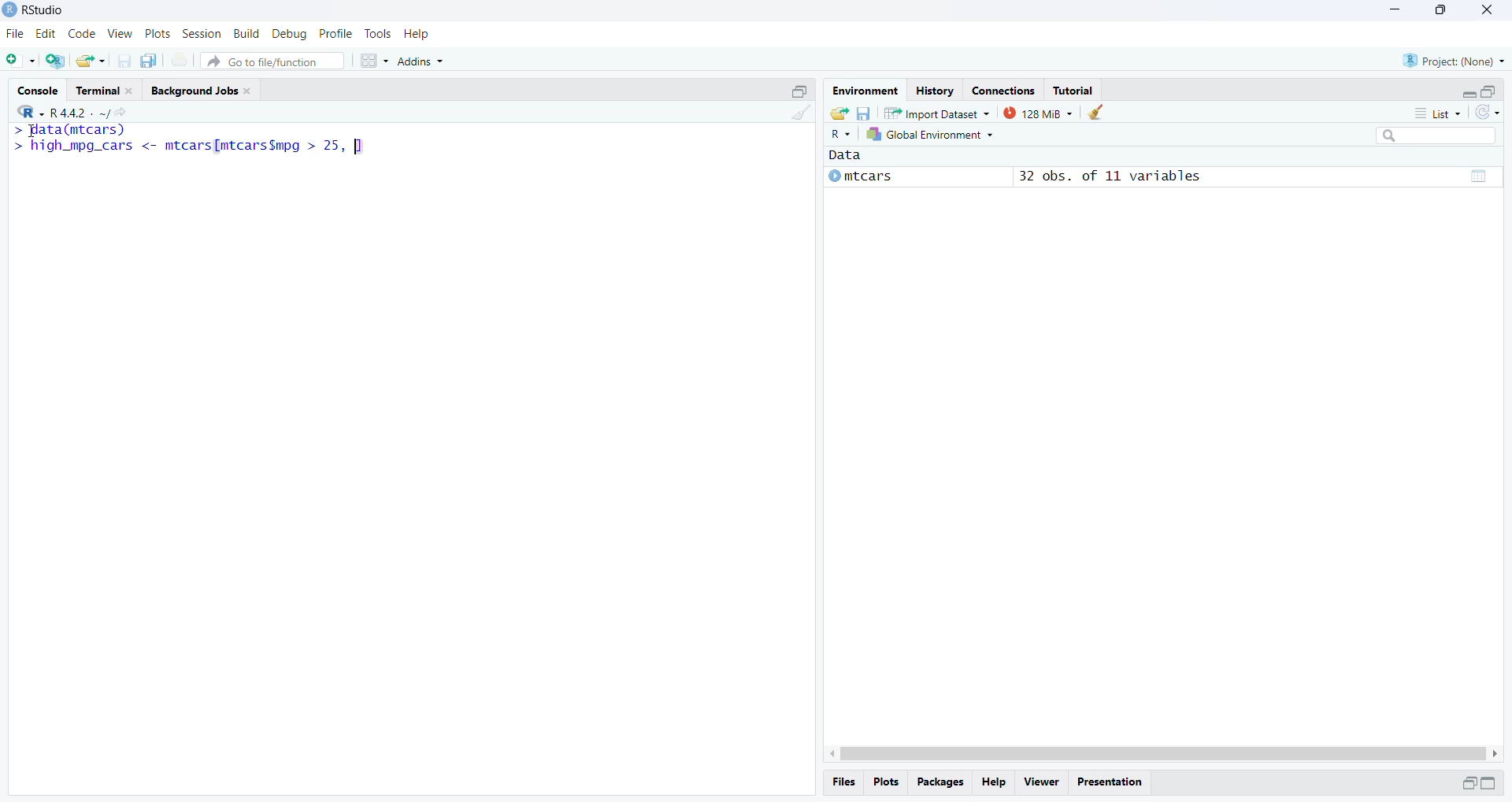 Image resolution: width=1512 pixels, height=802 pixels. I want to click on Addins, so click(421, 61).